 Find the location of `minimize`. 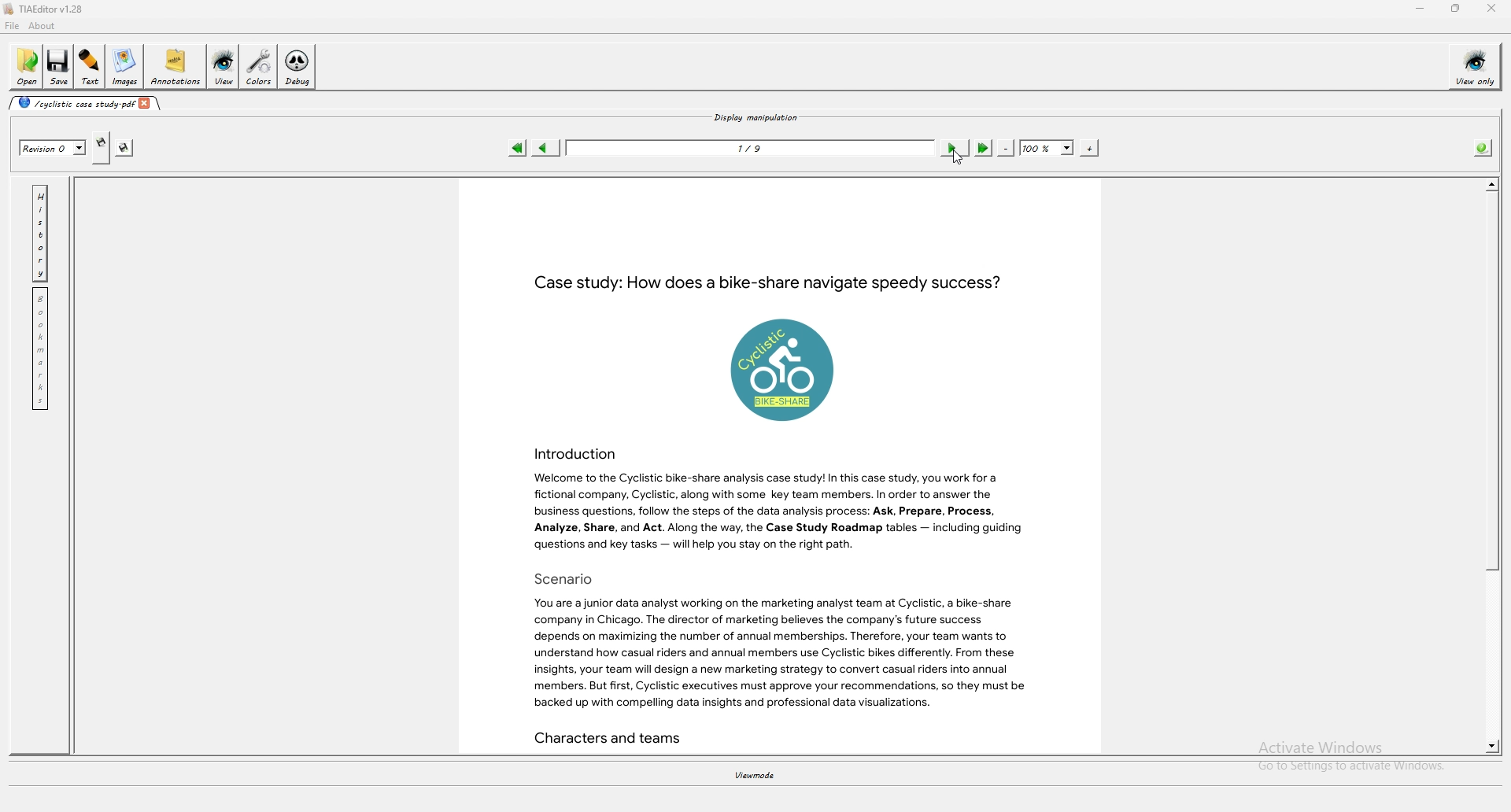

minimize is located at coordinates (1420, 9).